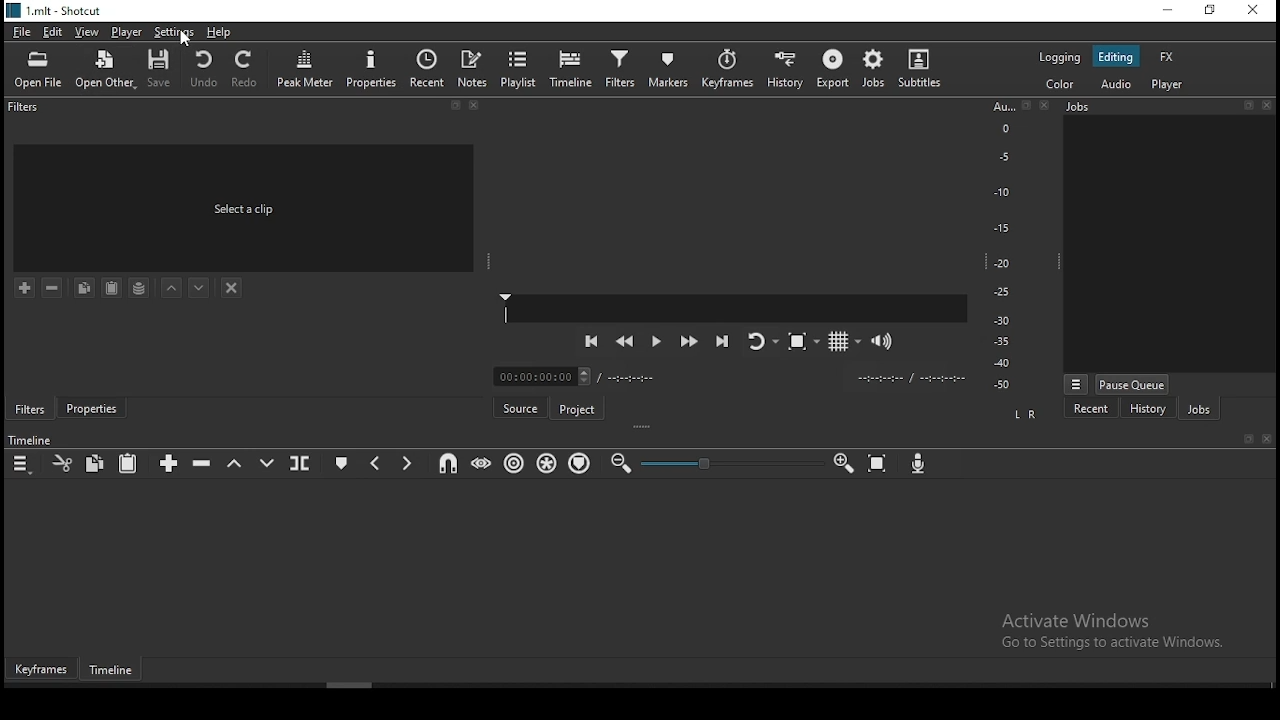  Describe the element at coordinates (220, 32) in the screenshot. I see `help` at that location.